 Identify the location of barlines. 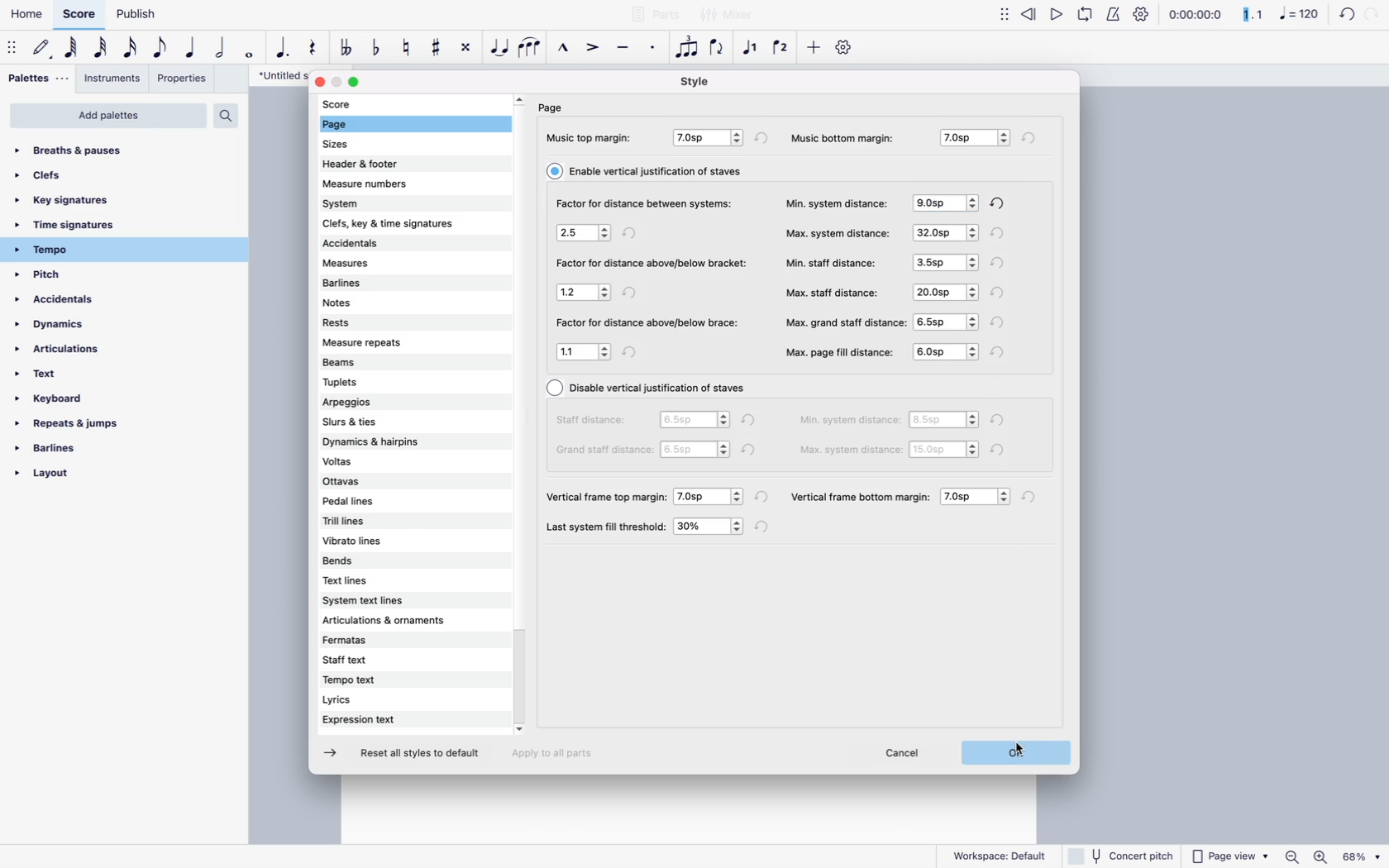
(76, 453).